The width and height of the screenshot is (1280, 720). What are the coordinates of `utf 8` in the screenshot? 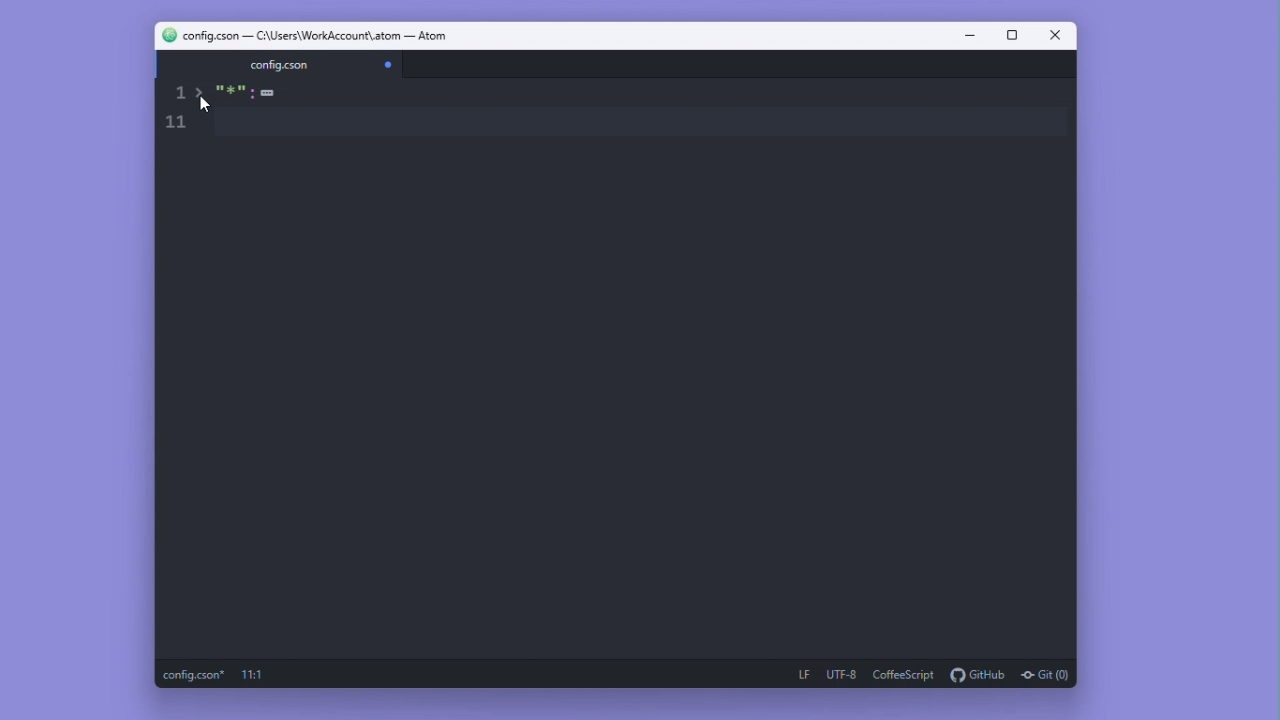 It's located at (842, 671).